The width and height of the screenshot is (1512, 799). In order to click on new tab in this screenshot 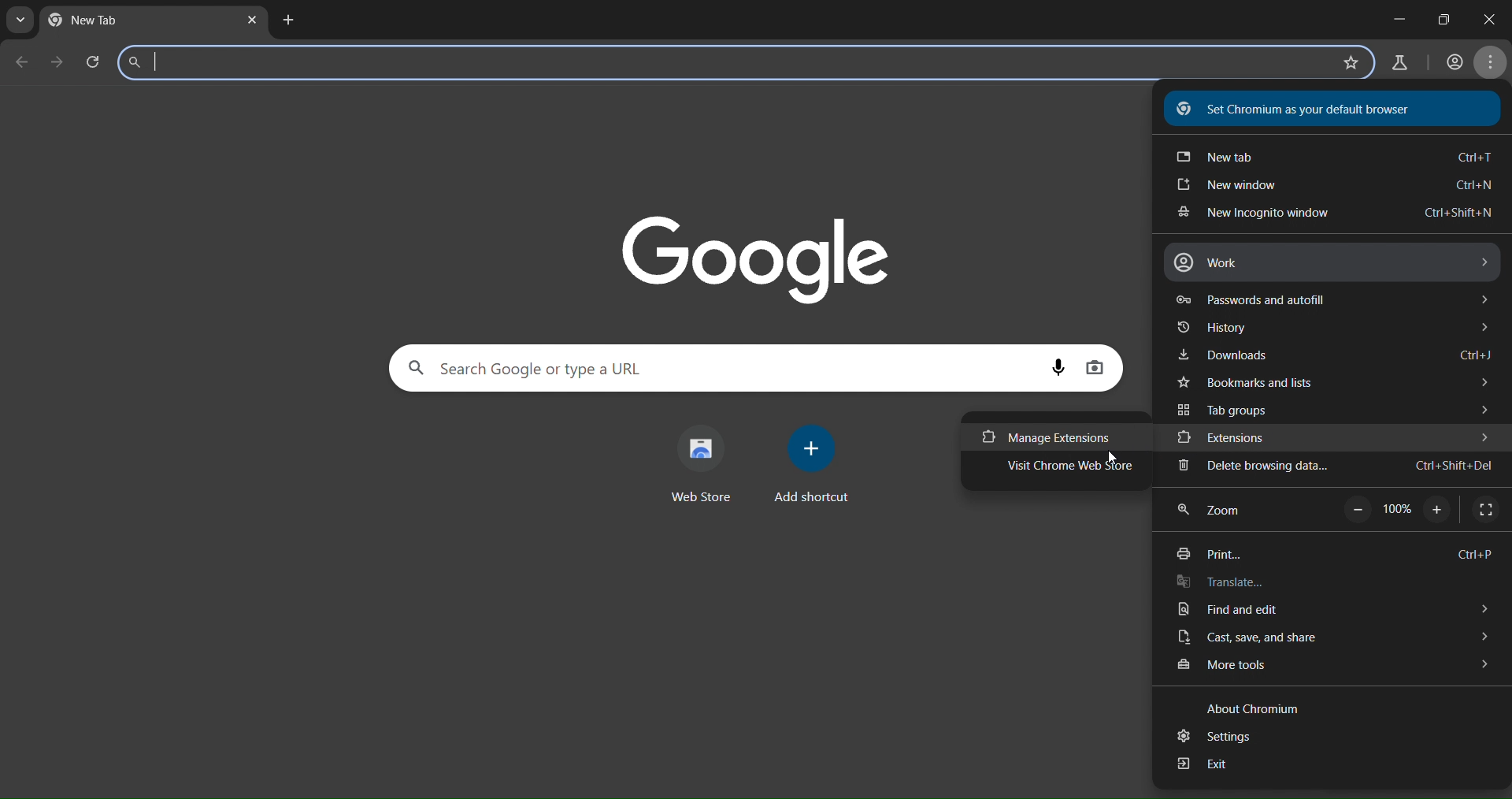, I will do `click(1329, 156)`.